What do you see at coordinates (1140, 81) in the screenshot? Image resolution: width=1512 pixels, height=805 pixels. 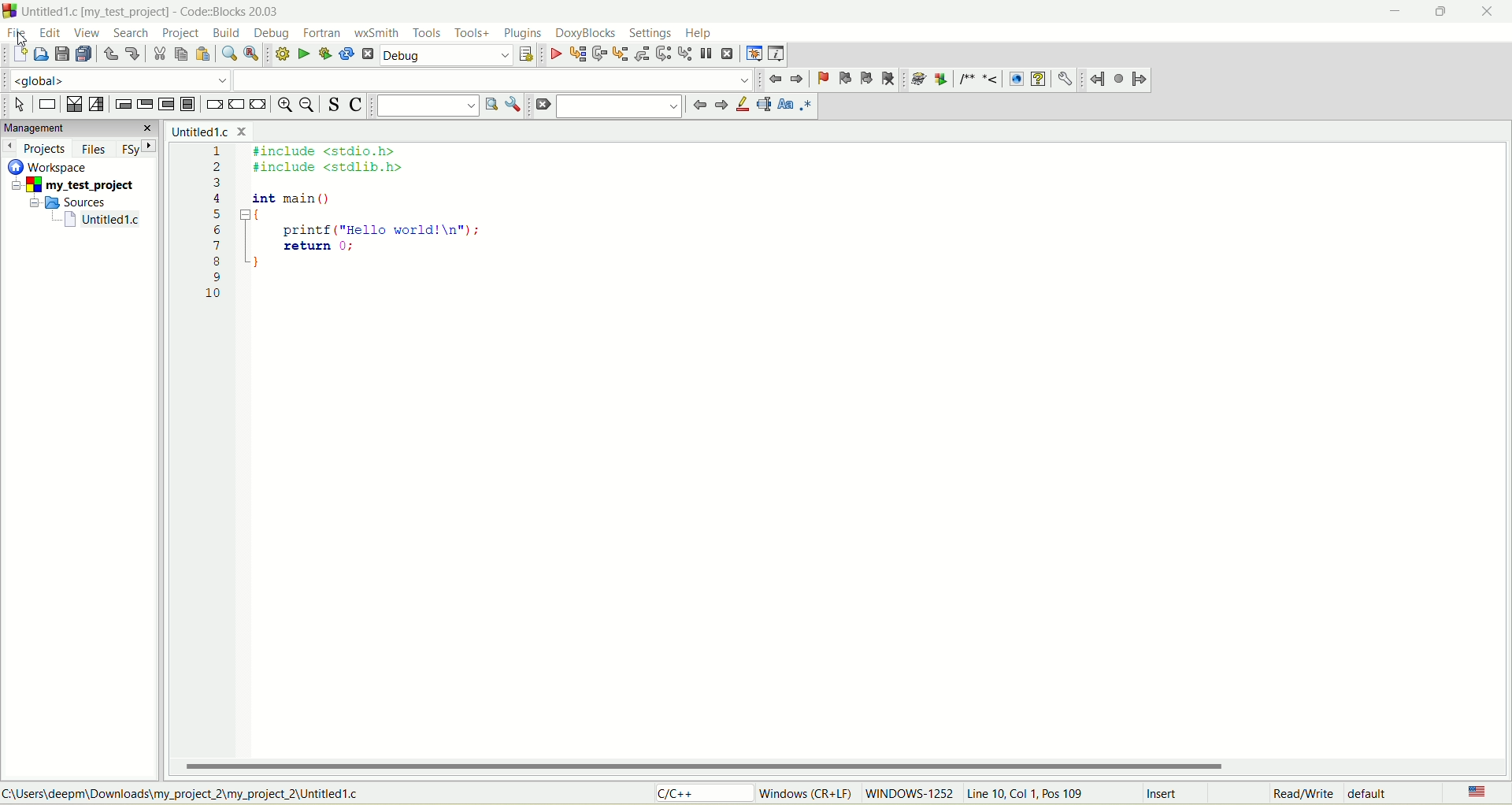 I see `jump forward` at bounding box center [1140, 81].